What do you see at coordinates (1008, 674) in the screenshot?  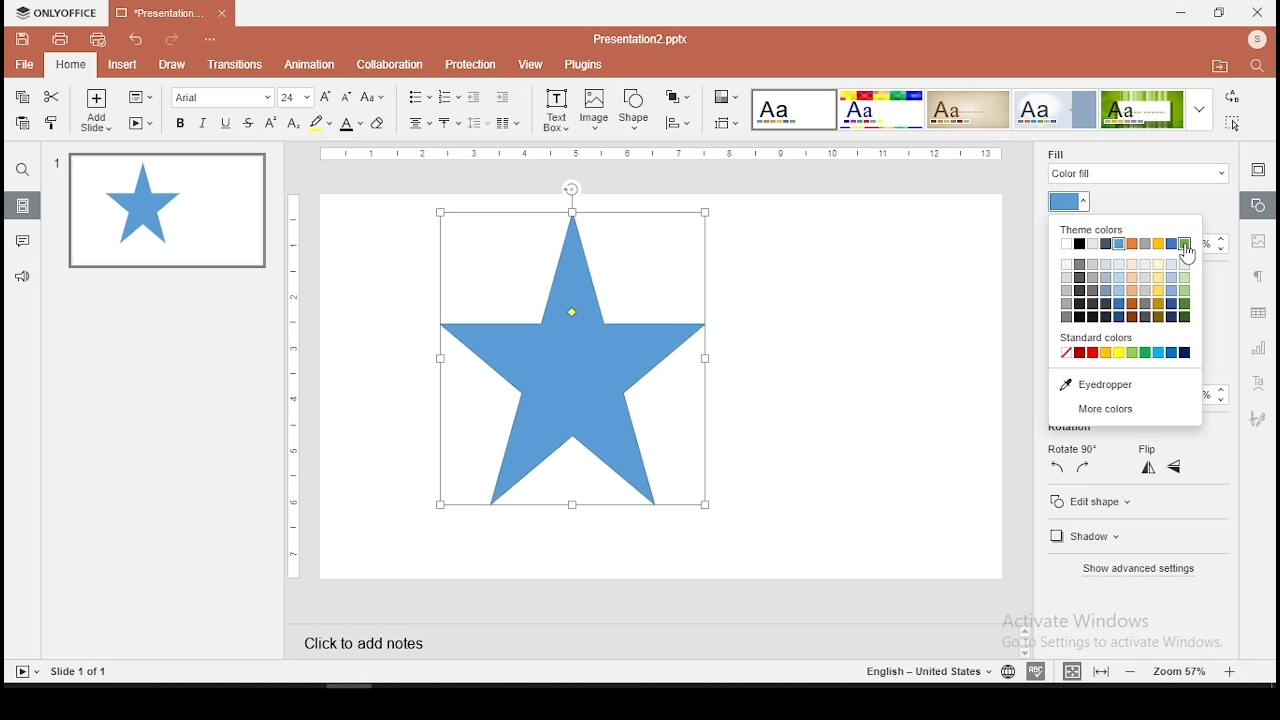 I see `language` at bounding box center [1008, 674].